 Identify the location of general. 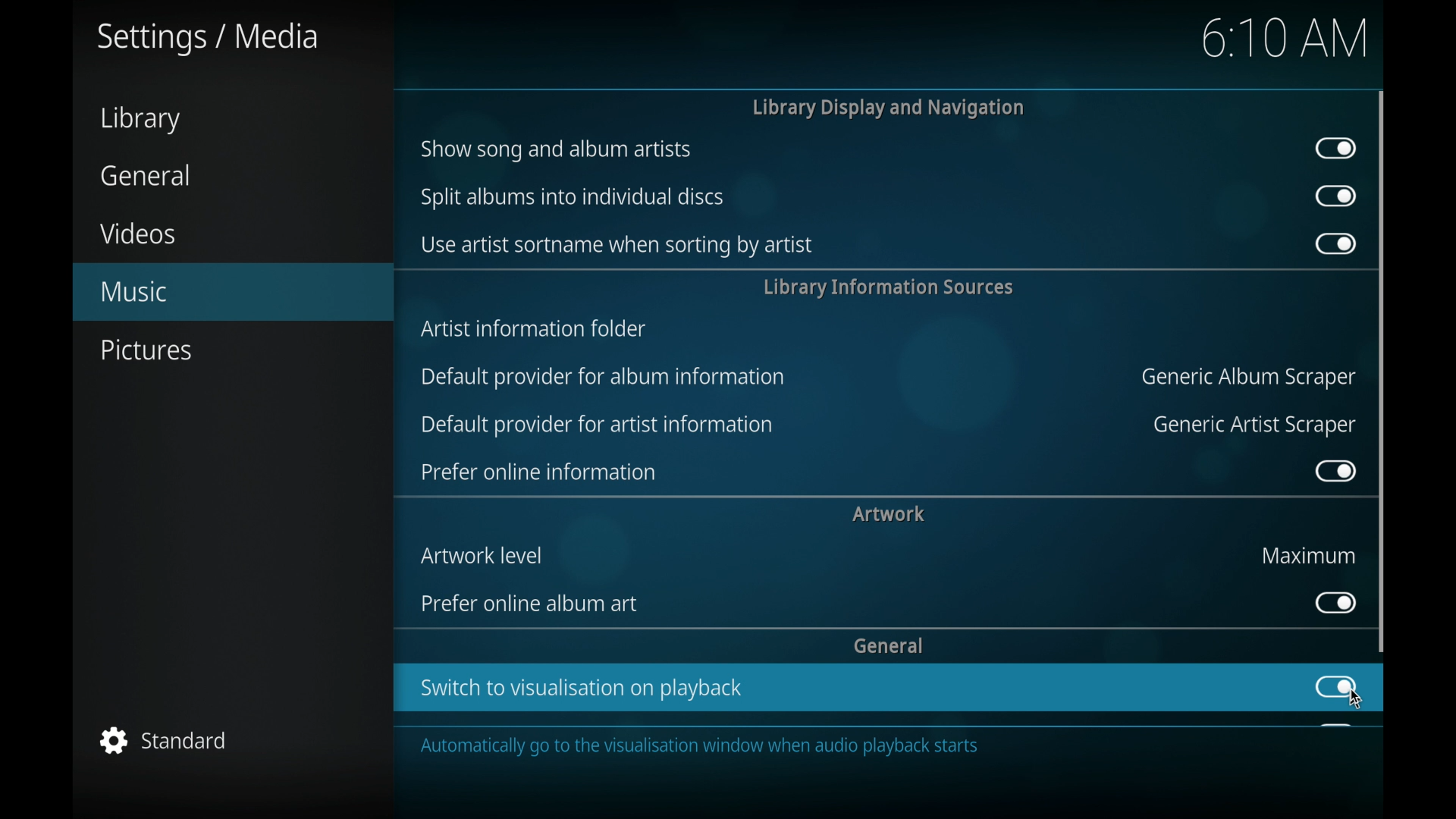
(146, 175).